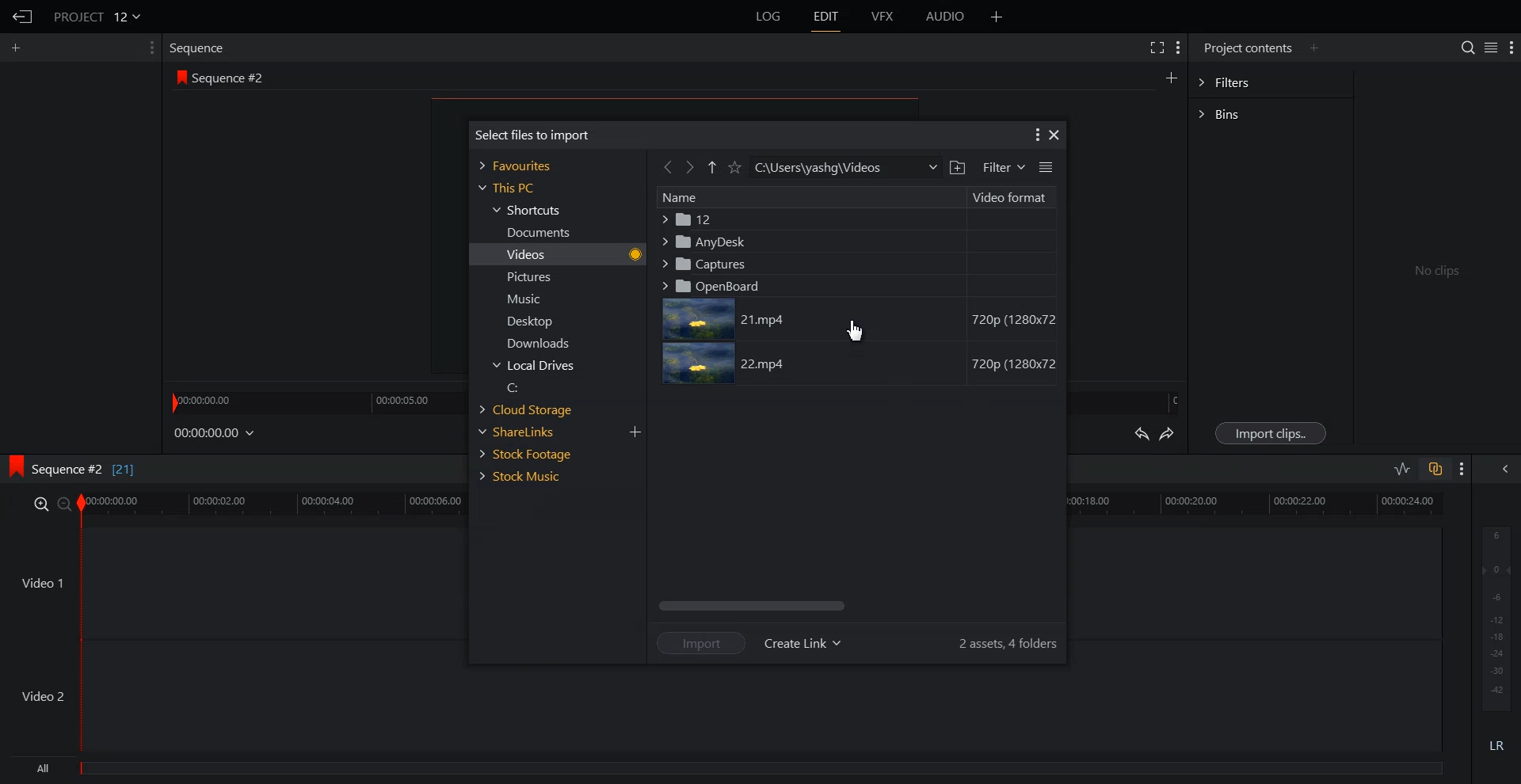 Image resolution: width=1521 pixels, height=784 pixels. What do you see at coordinates (52, 504) in the screenshot?
I see `Zoom In and Out` at bounding box center [52, 504].